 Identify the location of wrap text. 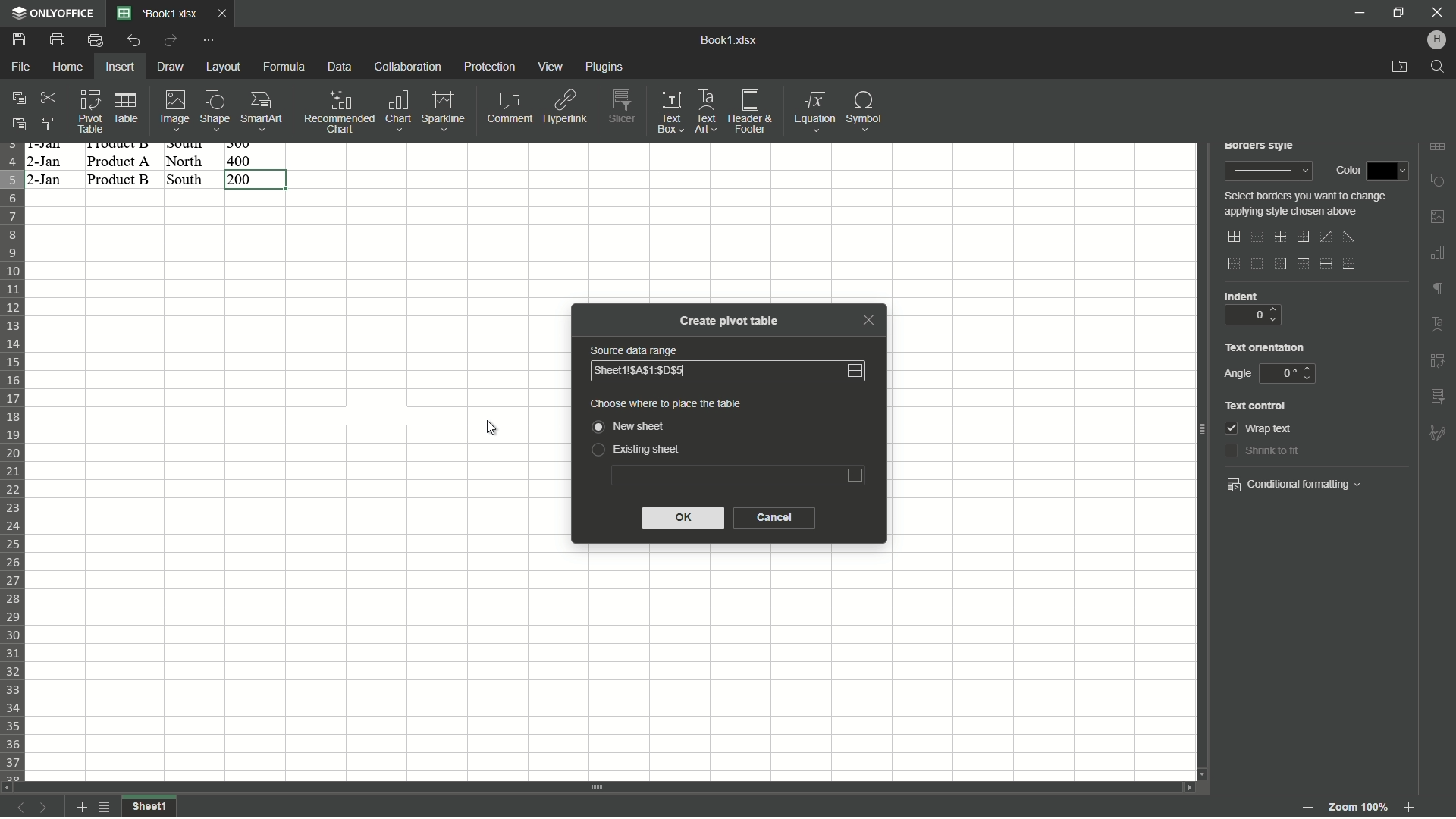
(1258, 428).